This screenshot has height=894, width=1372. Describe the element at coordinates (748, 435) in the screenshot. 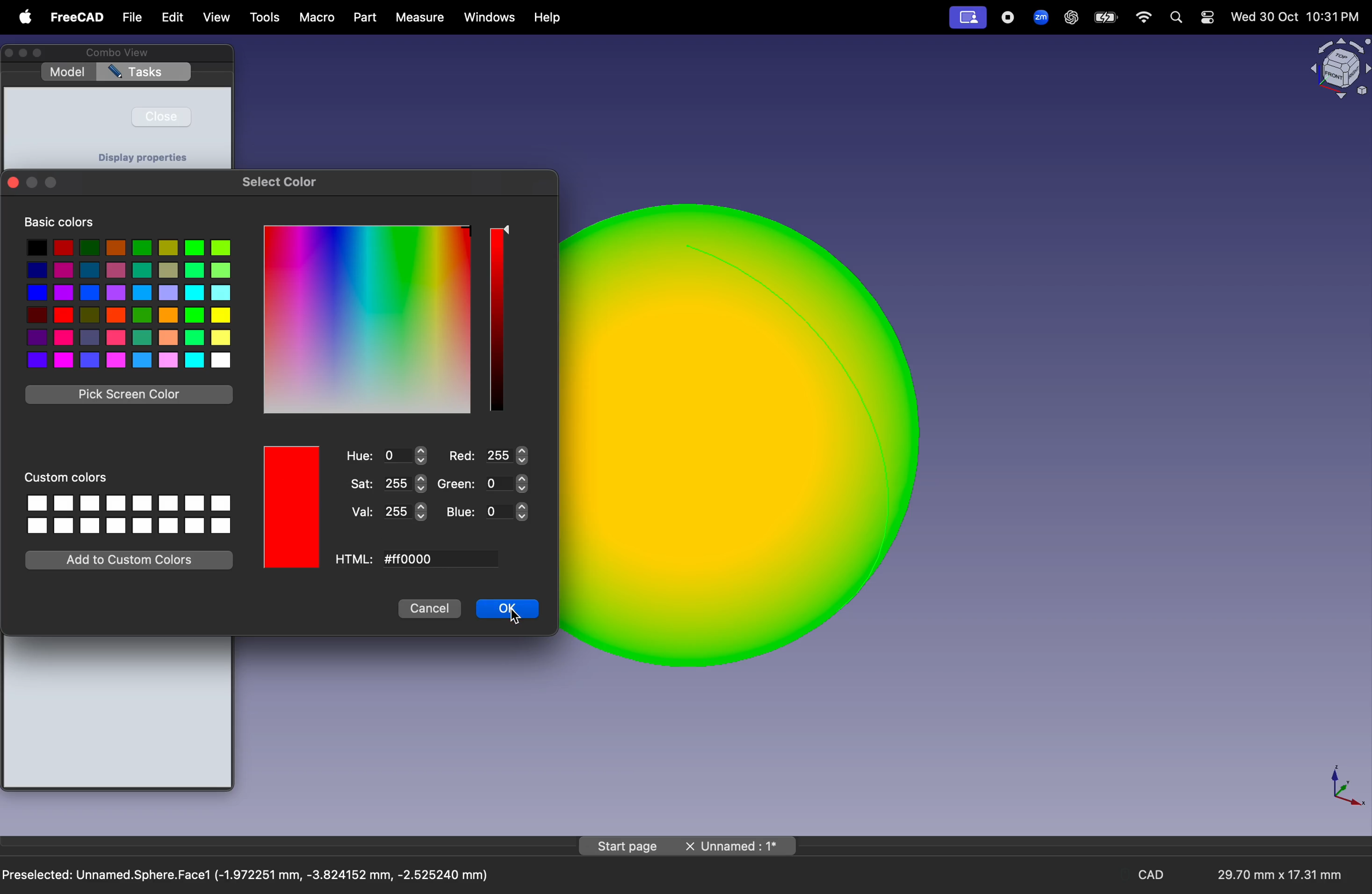

I see `sphere` at that location.